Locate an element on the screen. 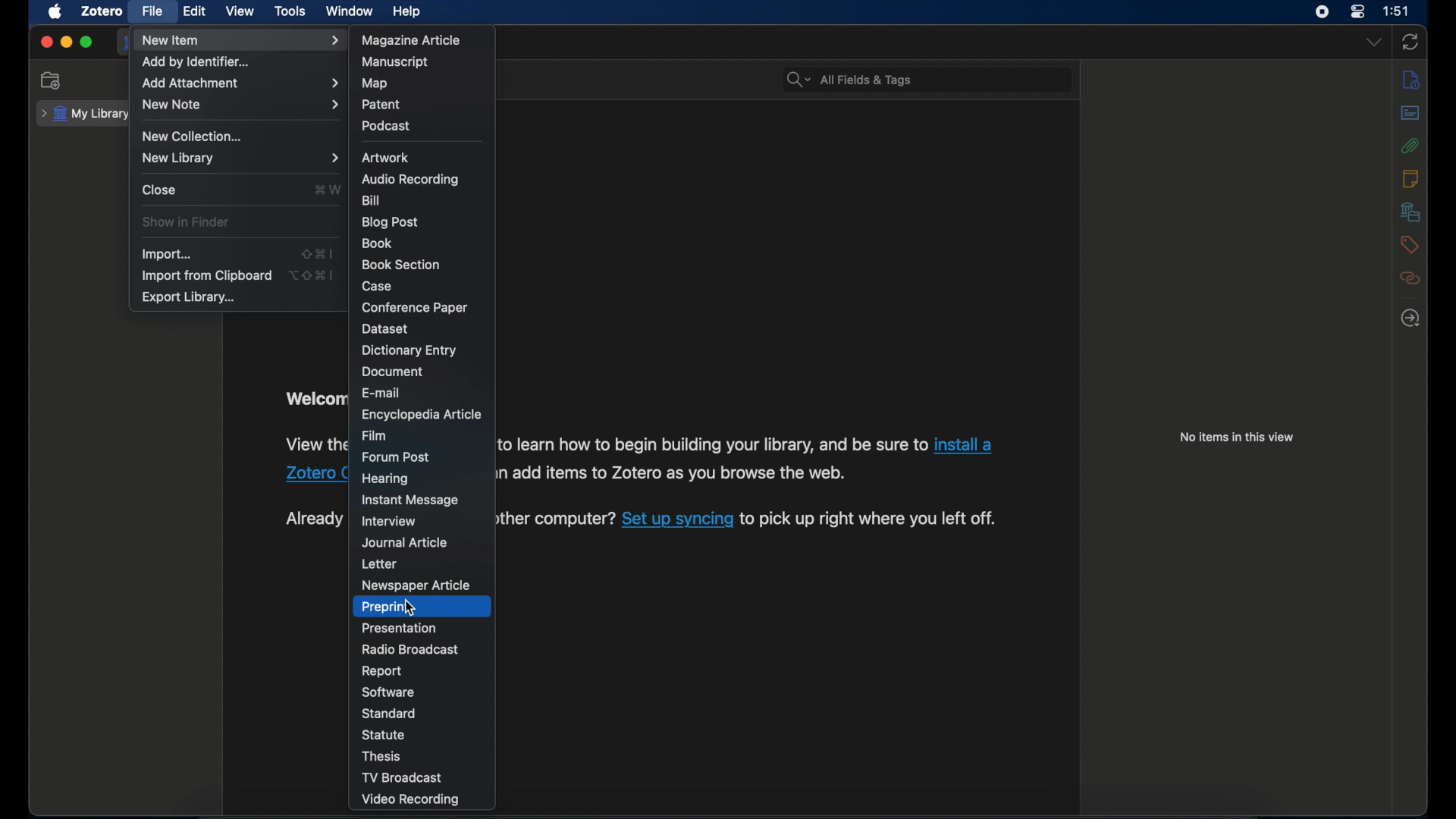  All Fields & Tags is located at coordinates (924, 78).